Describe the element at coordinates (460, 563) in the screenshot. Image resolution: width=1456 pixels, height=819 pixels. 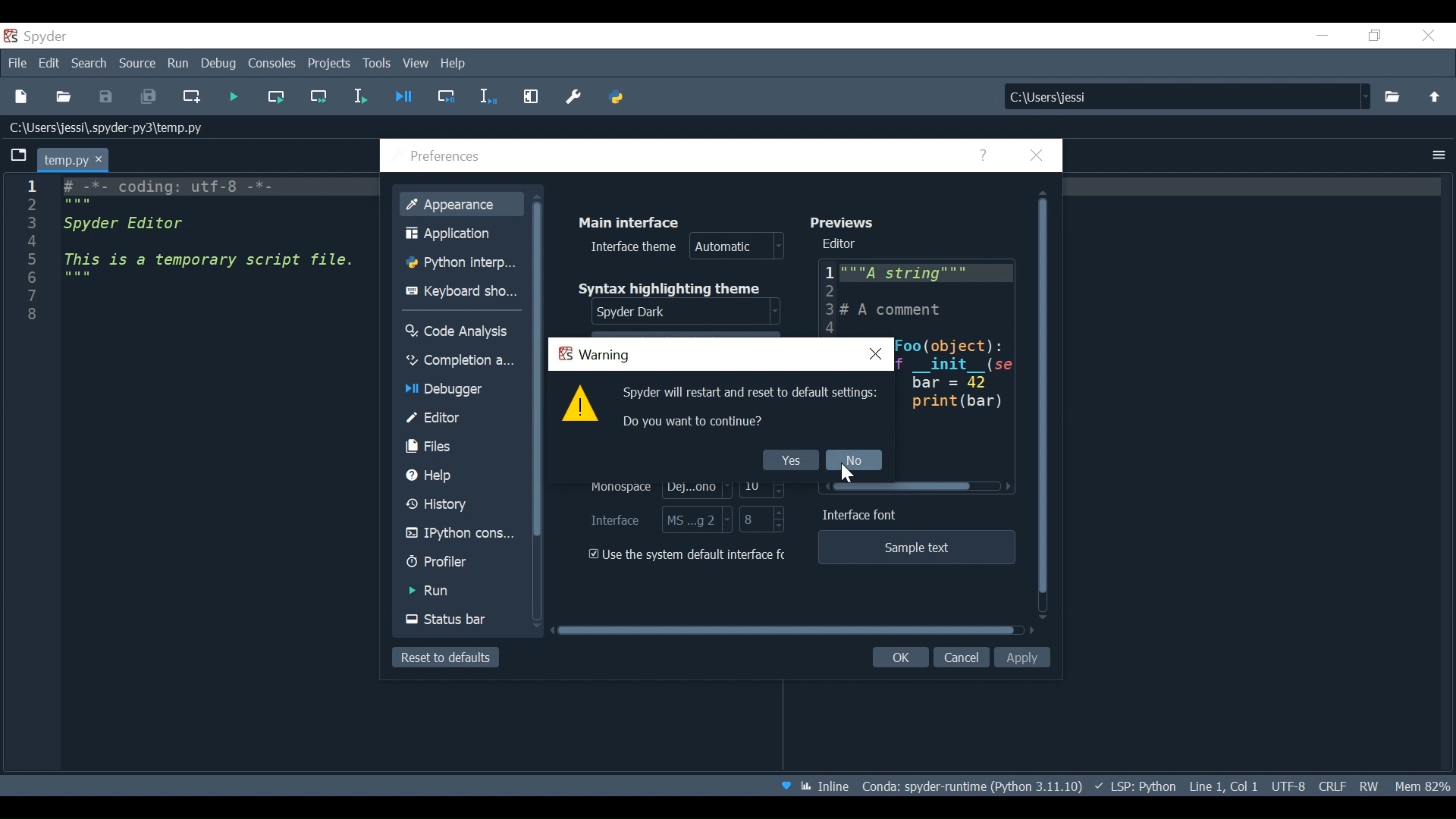
I see `Profiler` at that location.